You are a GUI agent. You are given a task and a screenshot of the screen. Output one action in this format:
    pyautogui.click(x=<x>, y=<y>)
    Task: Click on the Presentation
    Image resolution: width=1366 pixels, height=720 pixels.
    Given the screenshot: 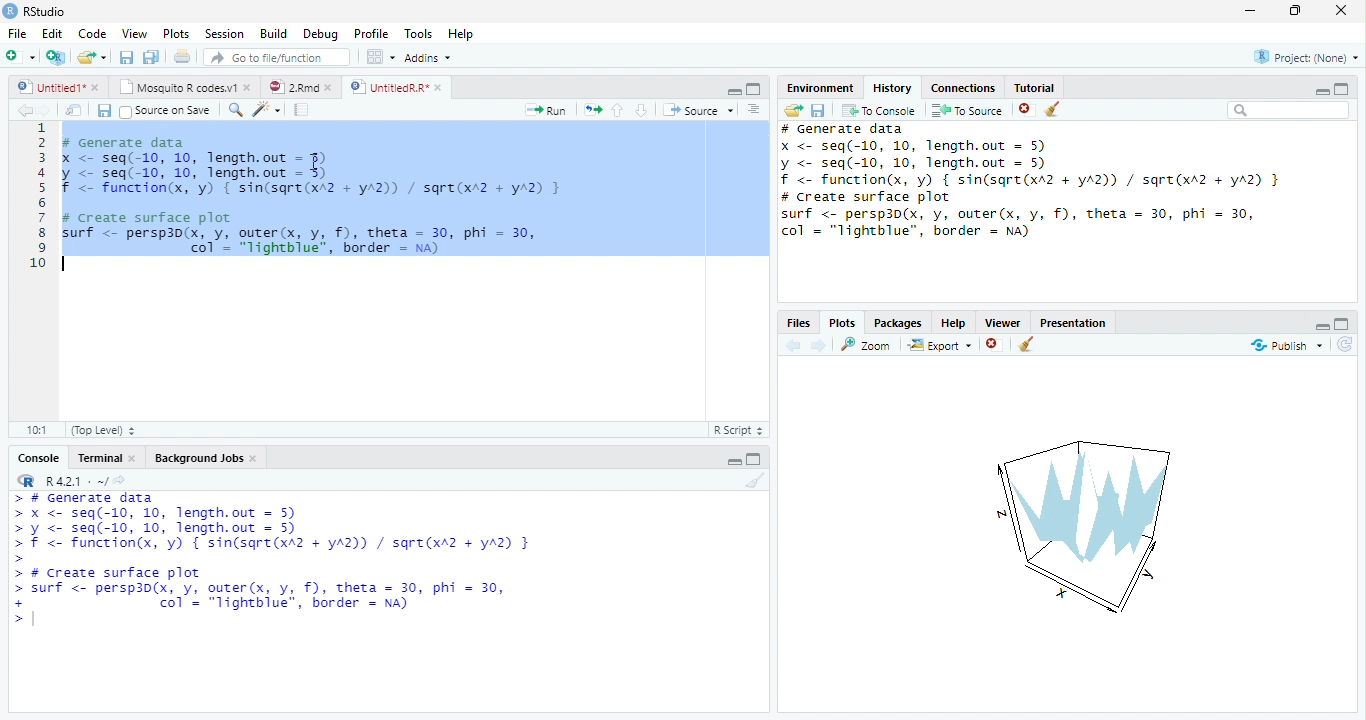 What is the action you would take?
    pyautogui.click(x=1073, y=322)
    